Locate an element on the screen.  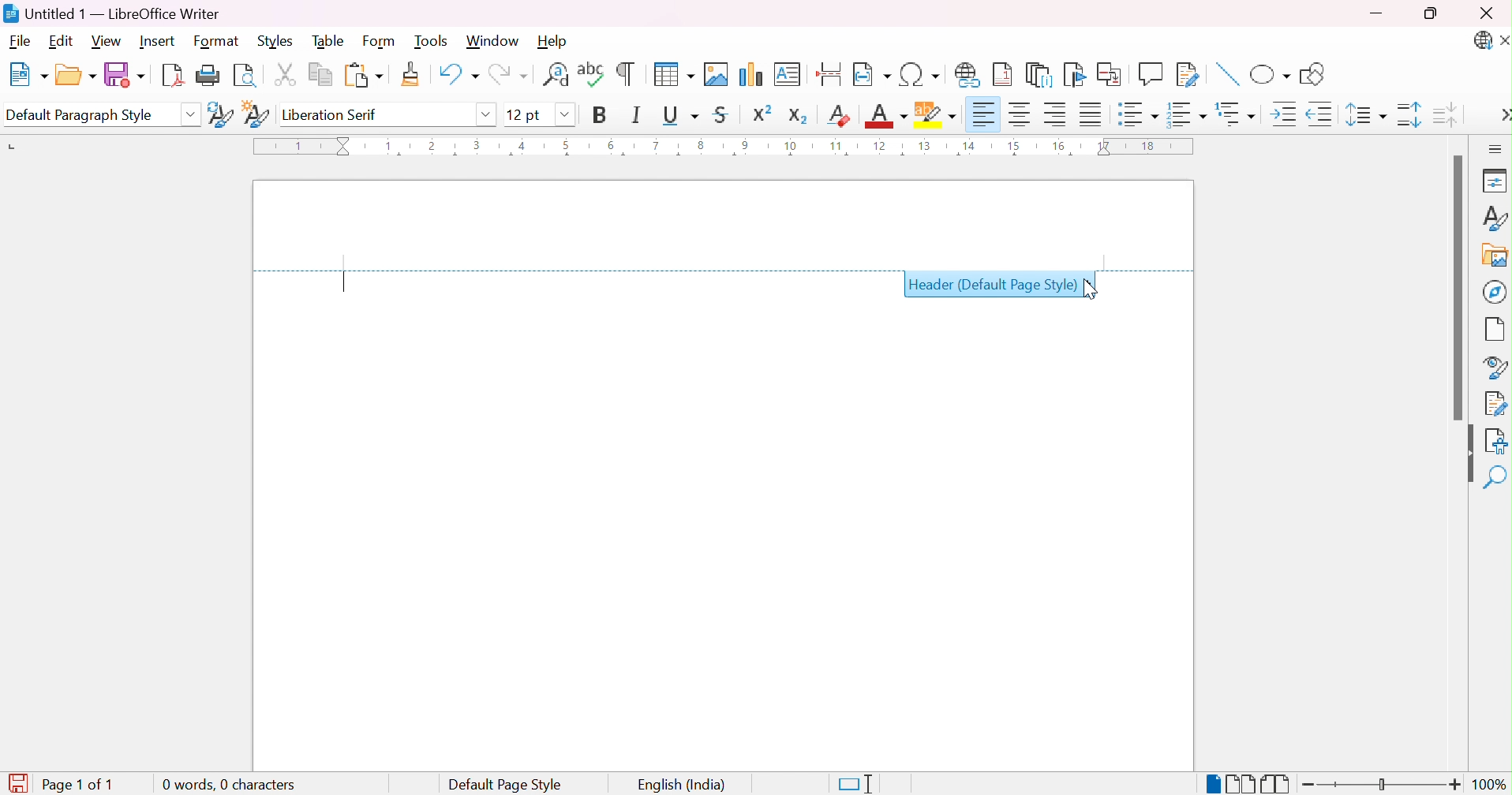
Properties is located at coordinates (1491, 181).